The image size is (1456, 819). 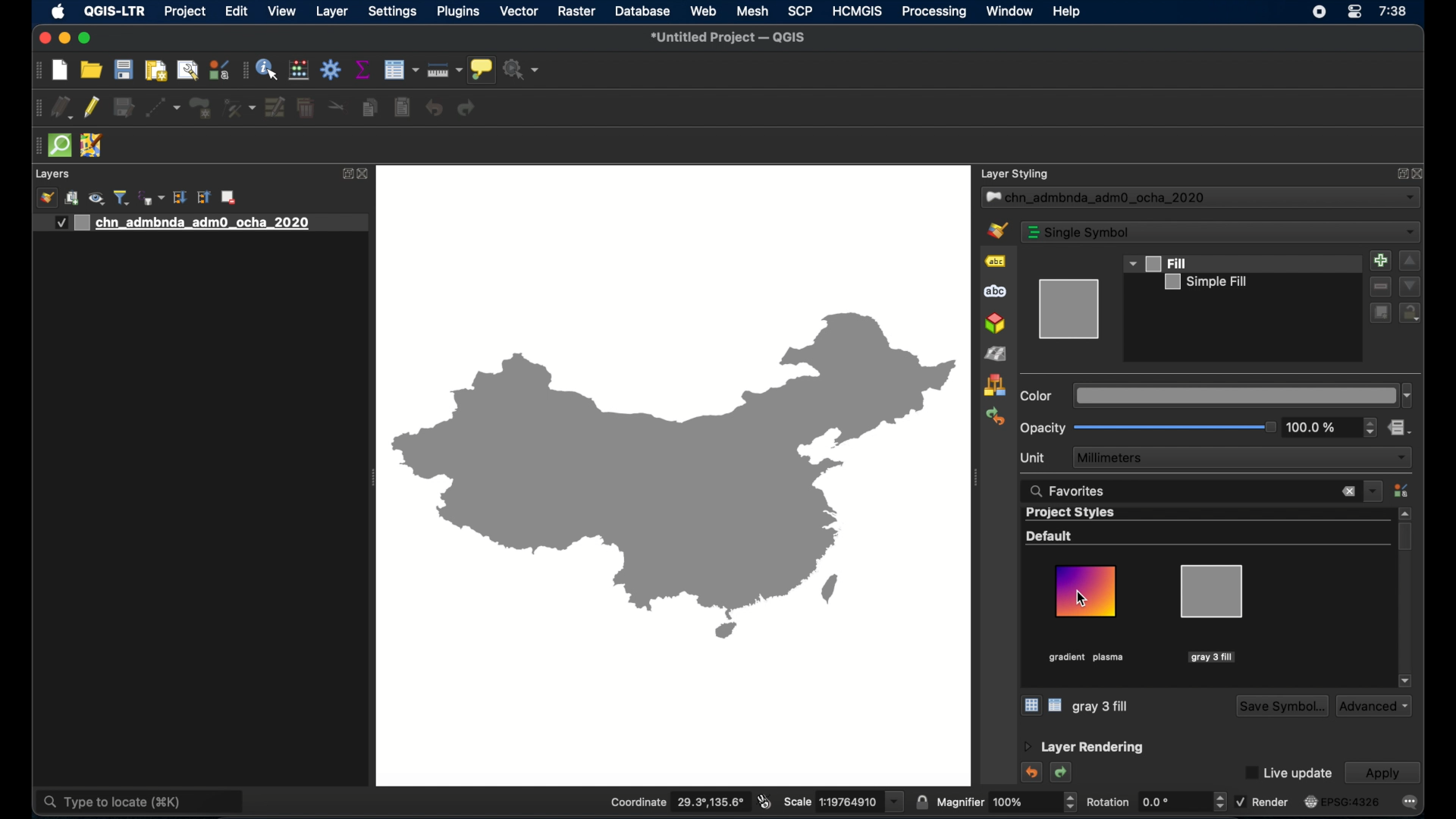 What do you see at coordinates (842, 801) in the screenshot?
I see `scale` at bounding box center [842, 801].